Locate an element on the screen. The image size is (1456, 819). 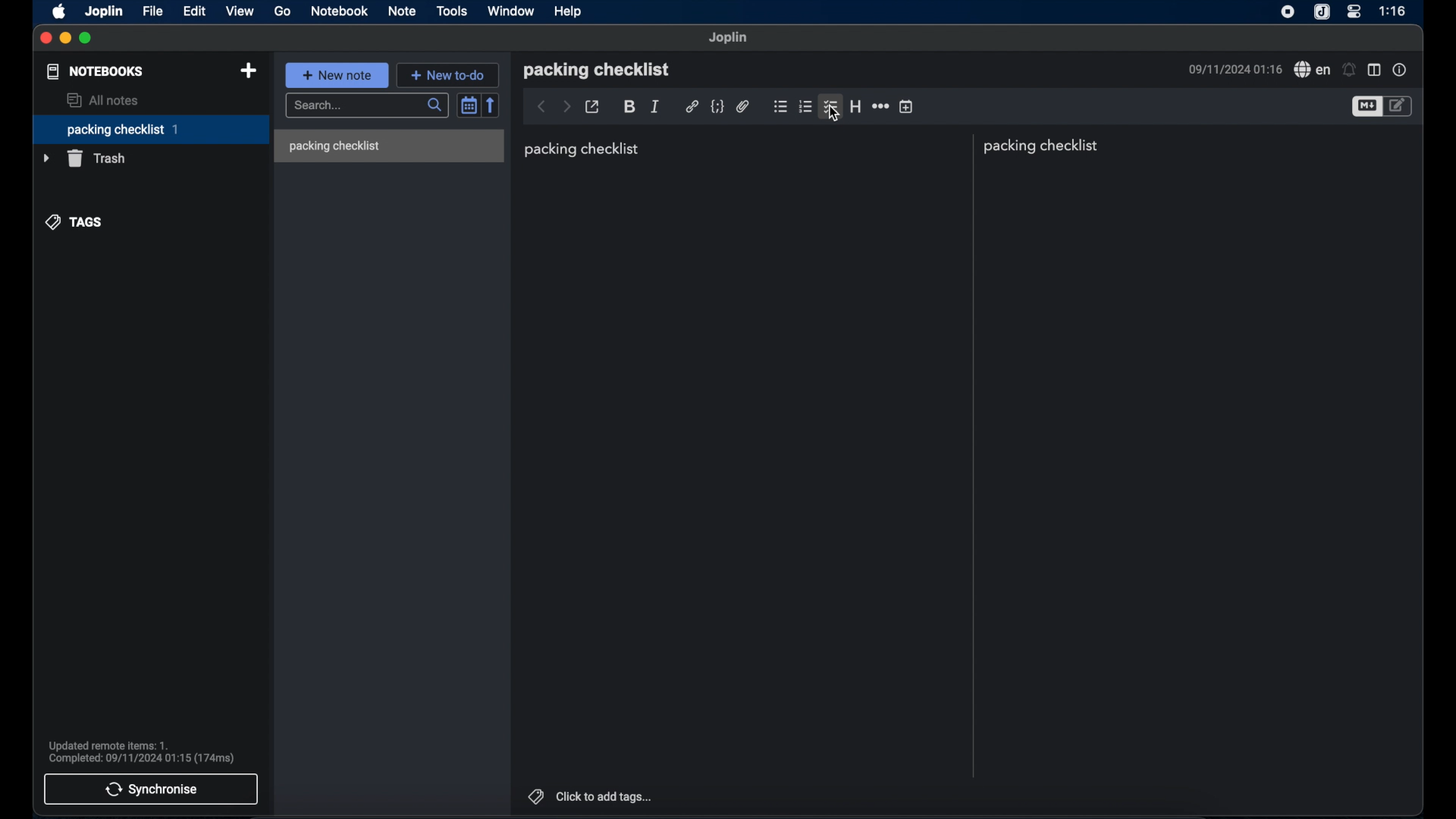
code is located at coordinates (717, 106).